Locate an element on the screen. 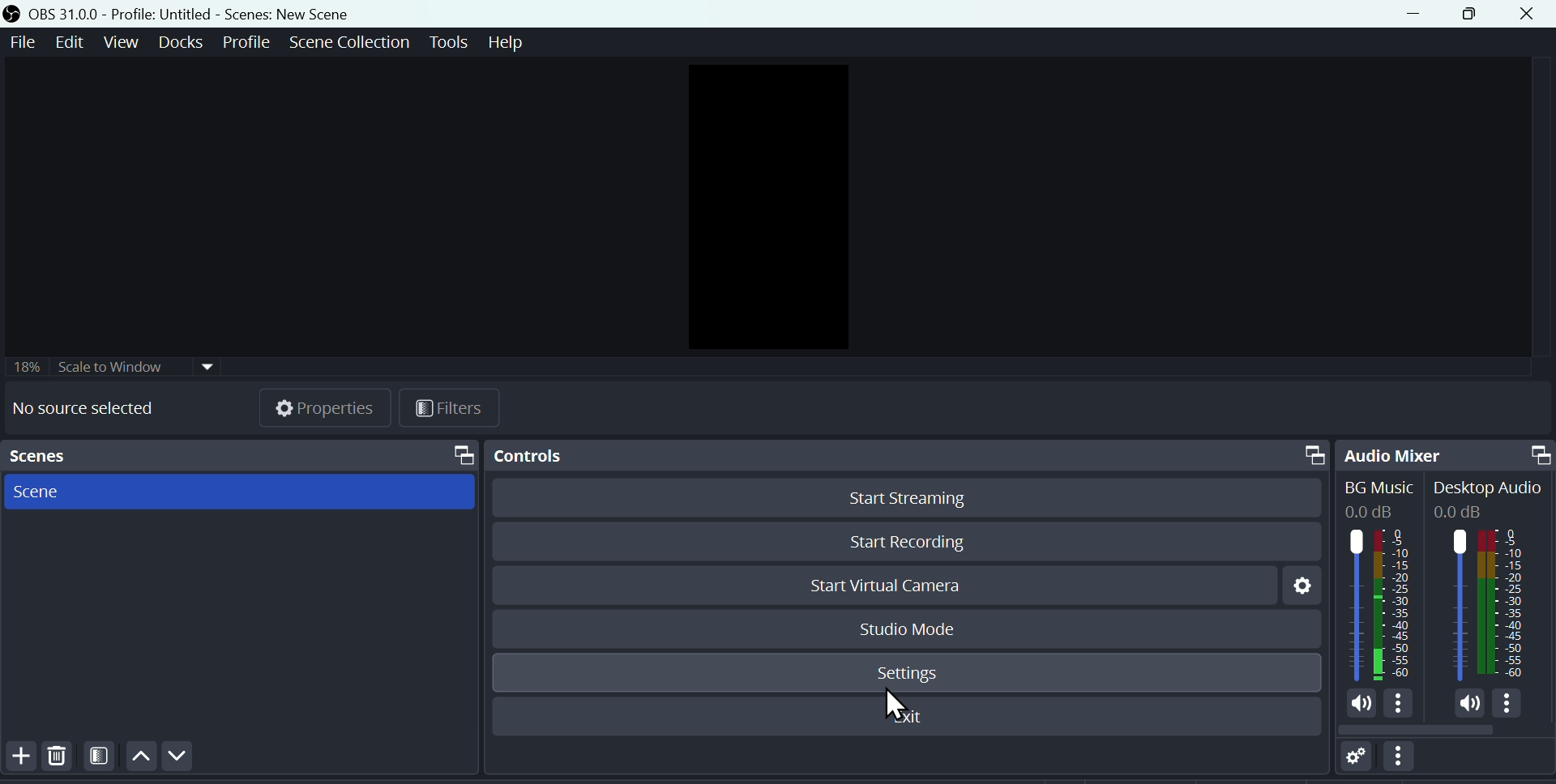 The image size is (1556, 784). OBS 31.0 .0 profile untitled scenes new scene is located at coordinates (194, 14).